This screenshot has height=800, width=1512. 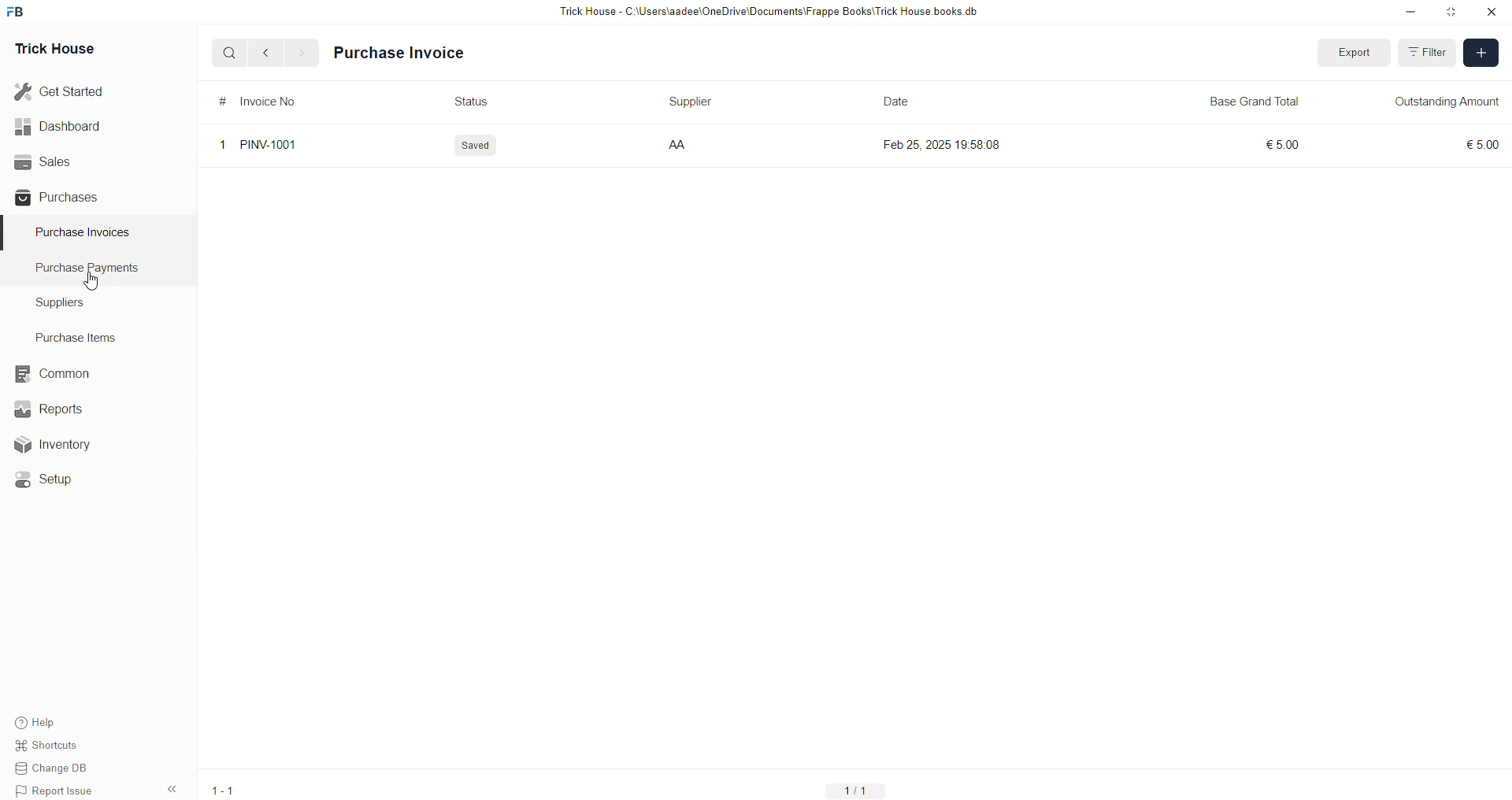 I want to click on Shortcuts, so click(x=56, y=747).